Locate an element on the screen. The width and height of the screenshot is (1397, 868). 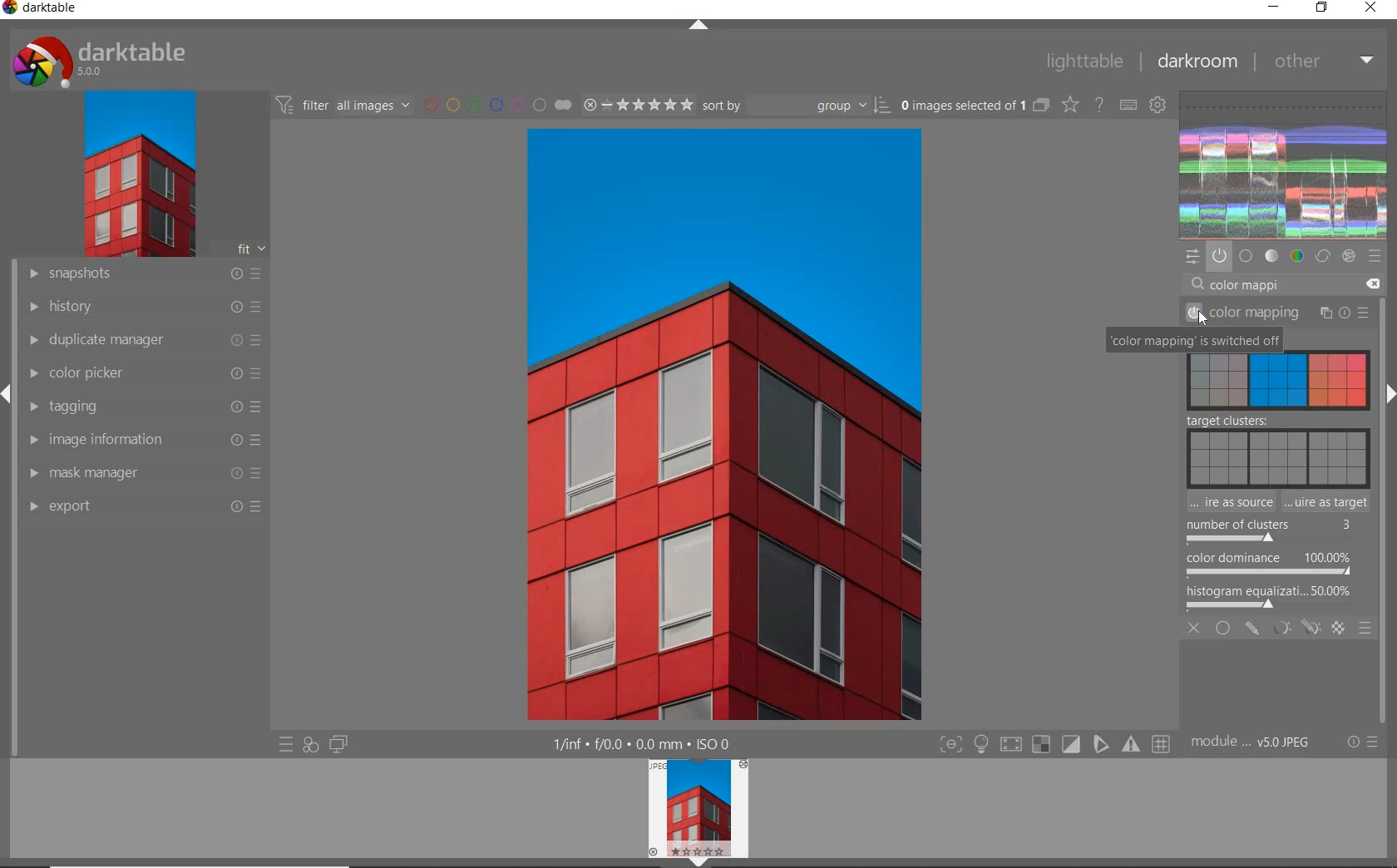
darktable is located at coordinates (49, 11).